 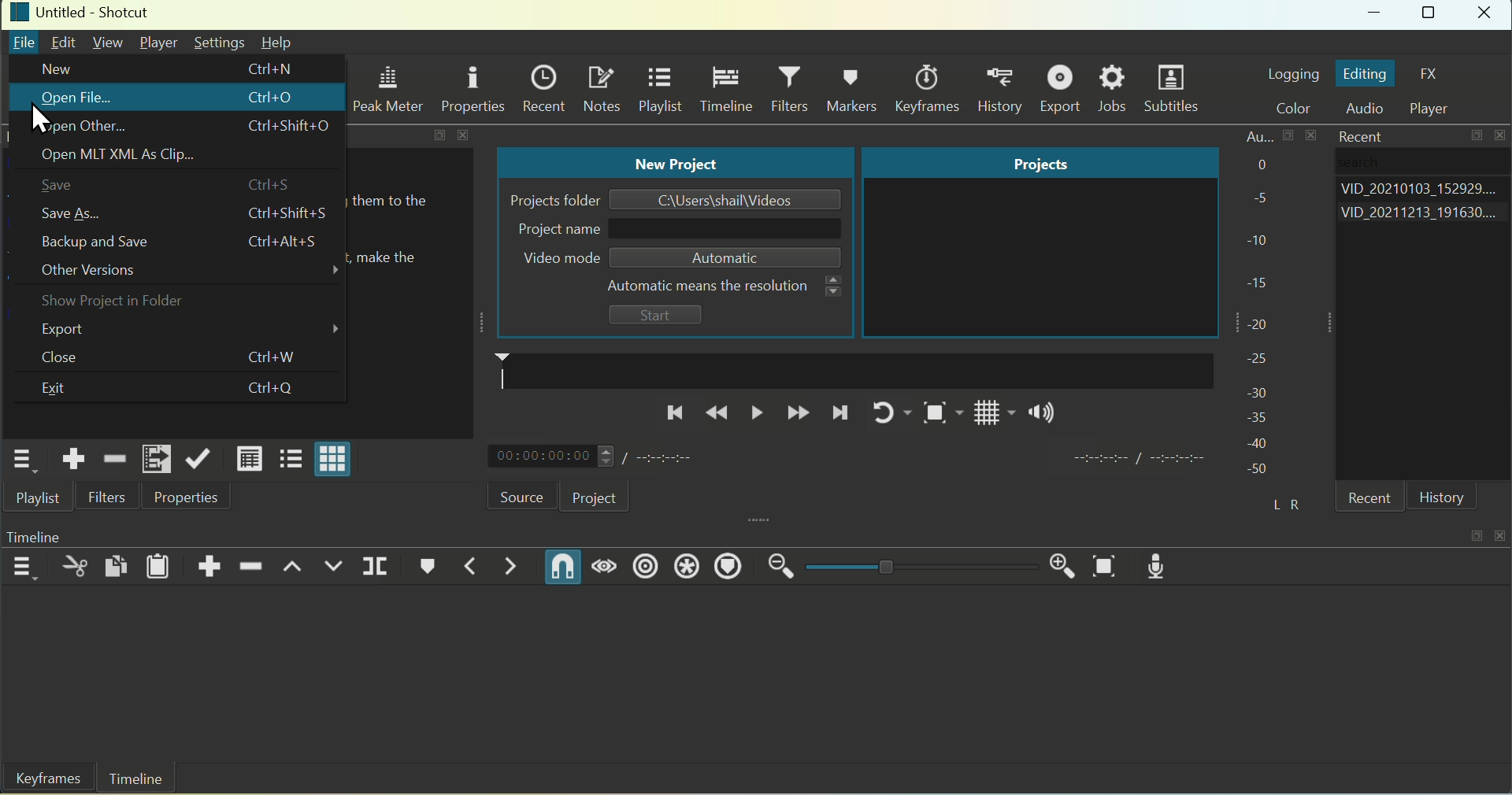 I want to click on Play, so click(x=756, y=412).